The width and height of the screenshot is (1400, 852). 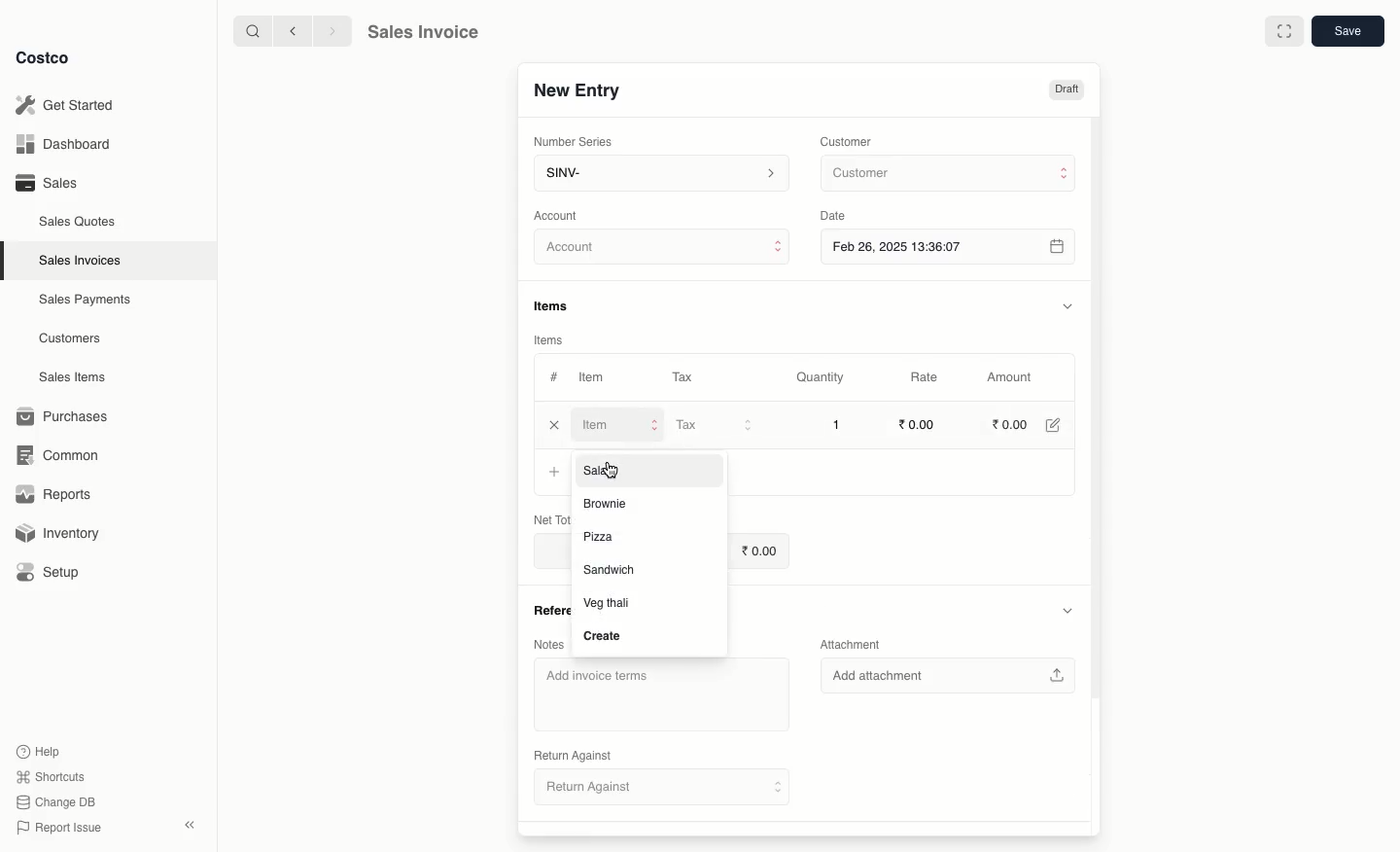 What do you see at coordinates (558, 305) in the screenshot?
I see `Items` at bounding box center [558, 305].